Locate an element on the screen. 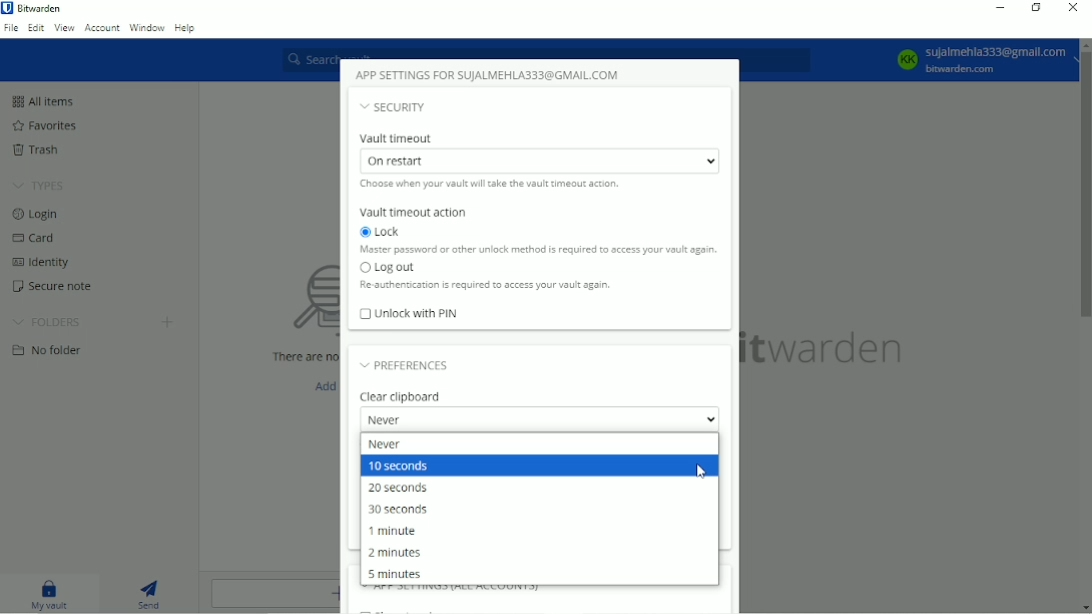 The image size is (1092, 614). Cursor is located at coordinates (698, 471).